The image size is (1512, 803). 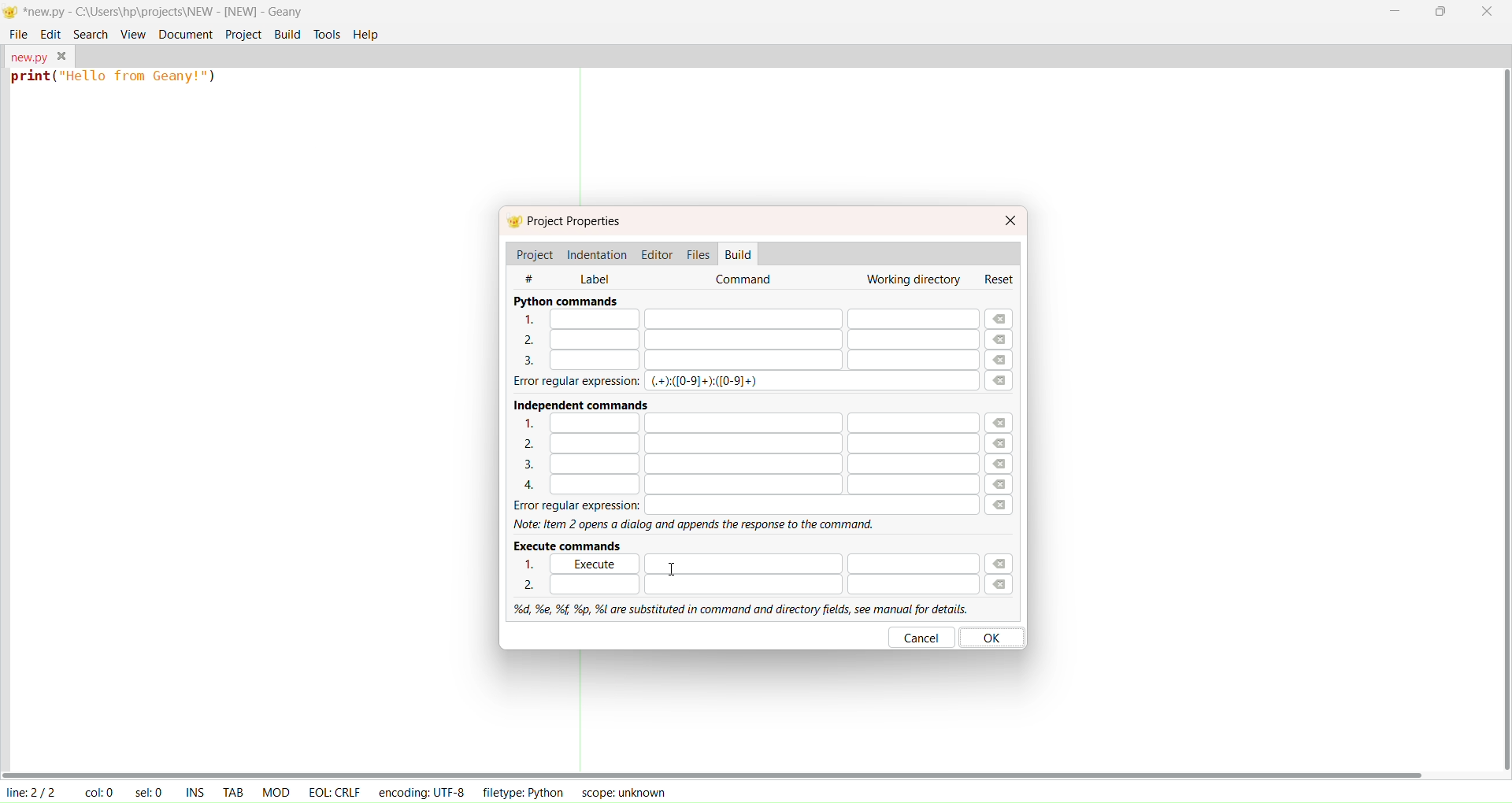 I want to click on indentation, so click(x=598, y=253).